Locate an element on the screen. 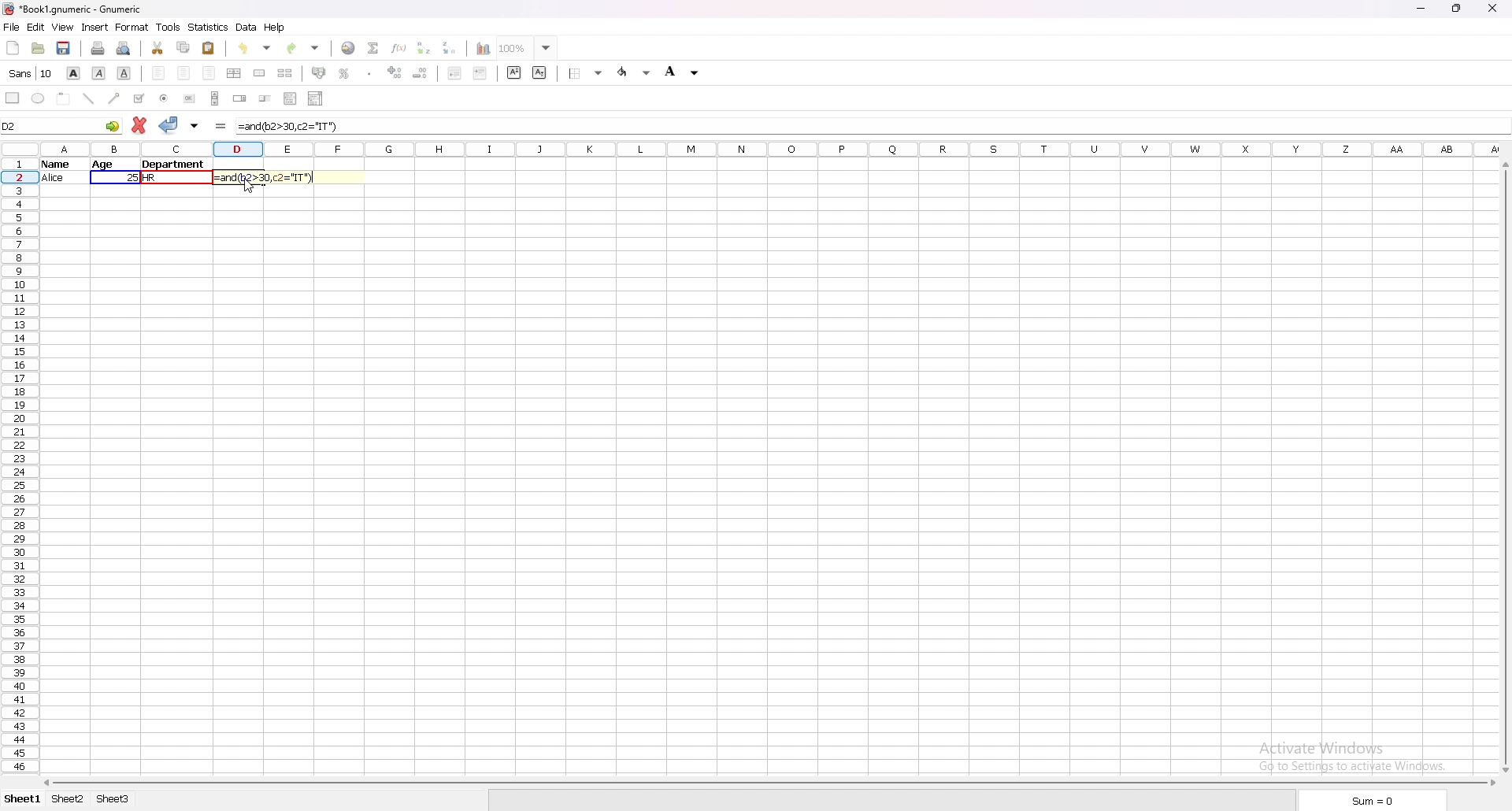  redo is located at coordinates (303, 49).